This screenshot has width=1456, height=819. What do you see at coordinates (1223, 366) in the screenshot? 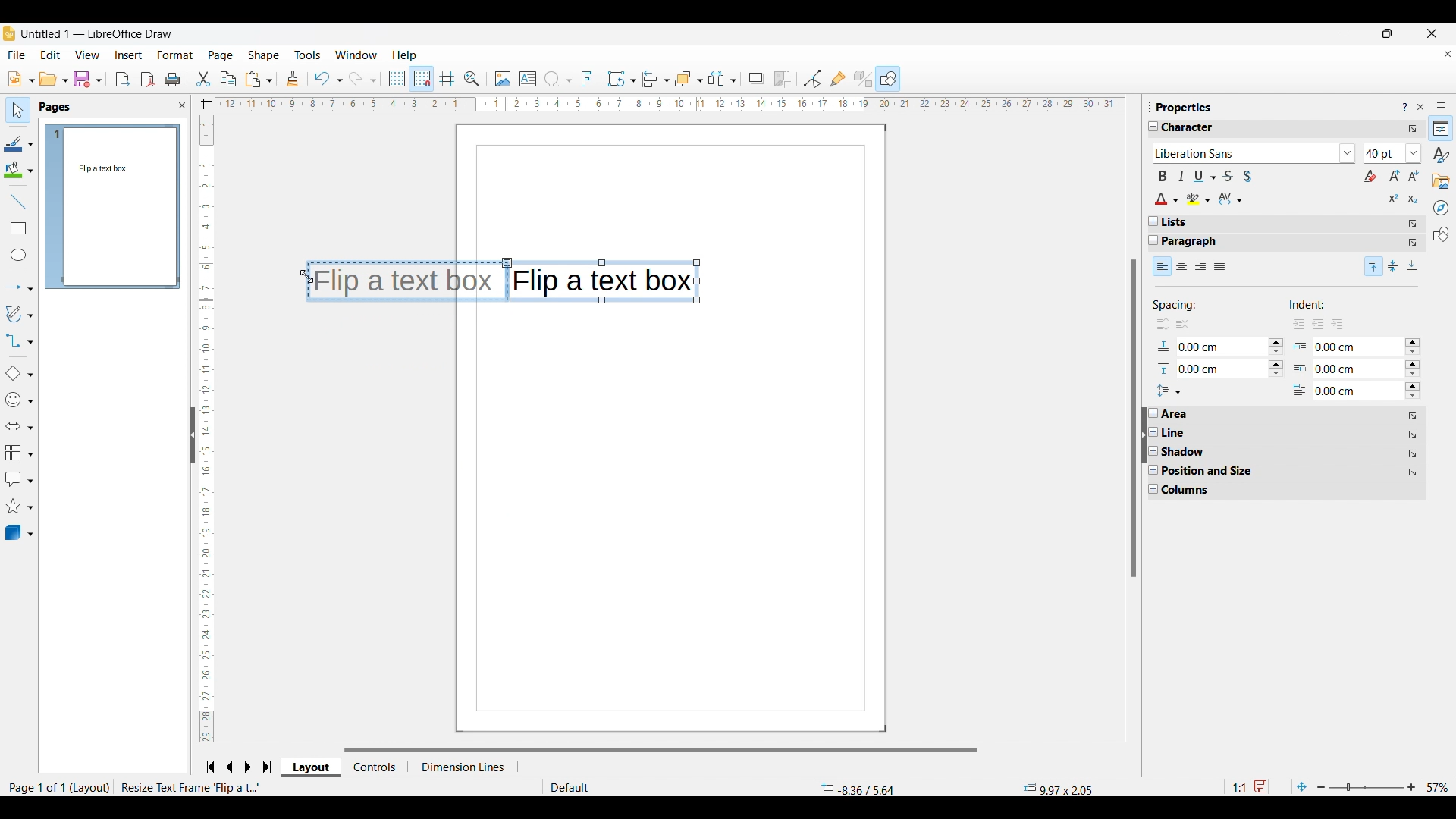
I see `0.00 cm` at bounding box center [1223, 366].